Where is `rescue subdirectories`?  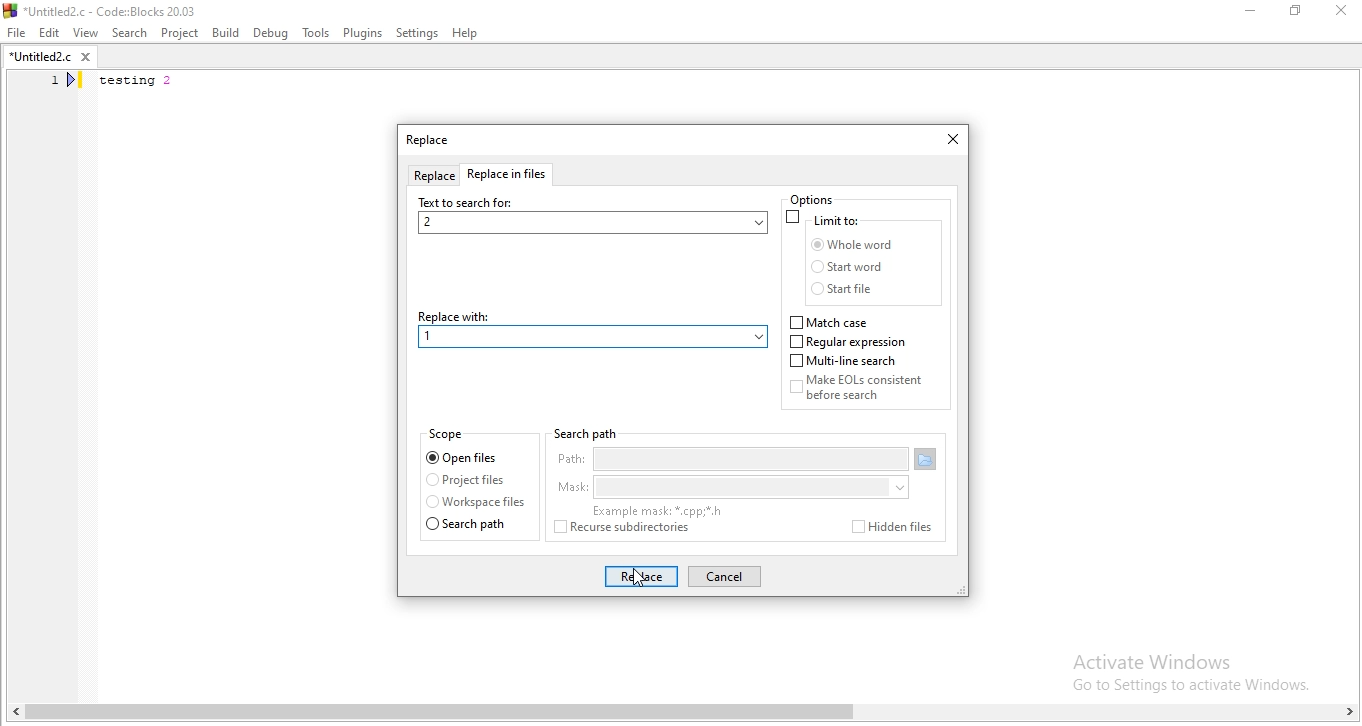
rescue subdirectories is located at coordinates (631, 530).